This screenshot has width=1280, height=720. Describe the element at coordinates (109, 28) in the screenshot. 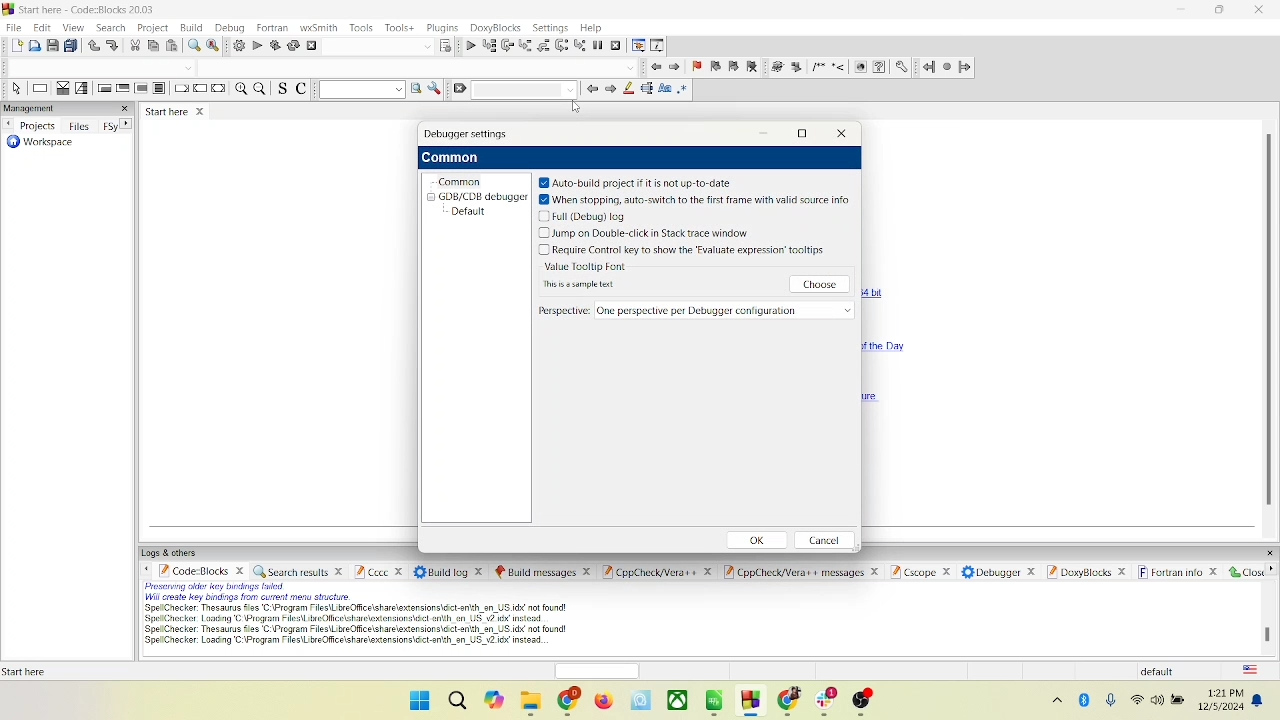

I see `search` at that location.